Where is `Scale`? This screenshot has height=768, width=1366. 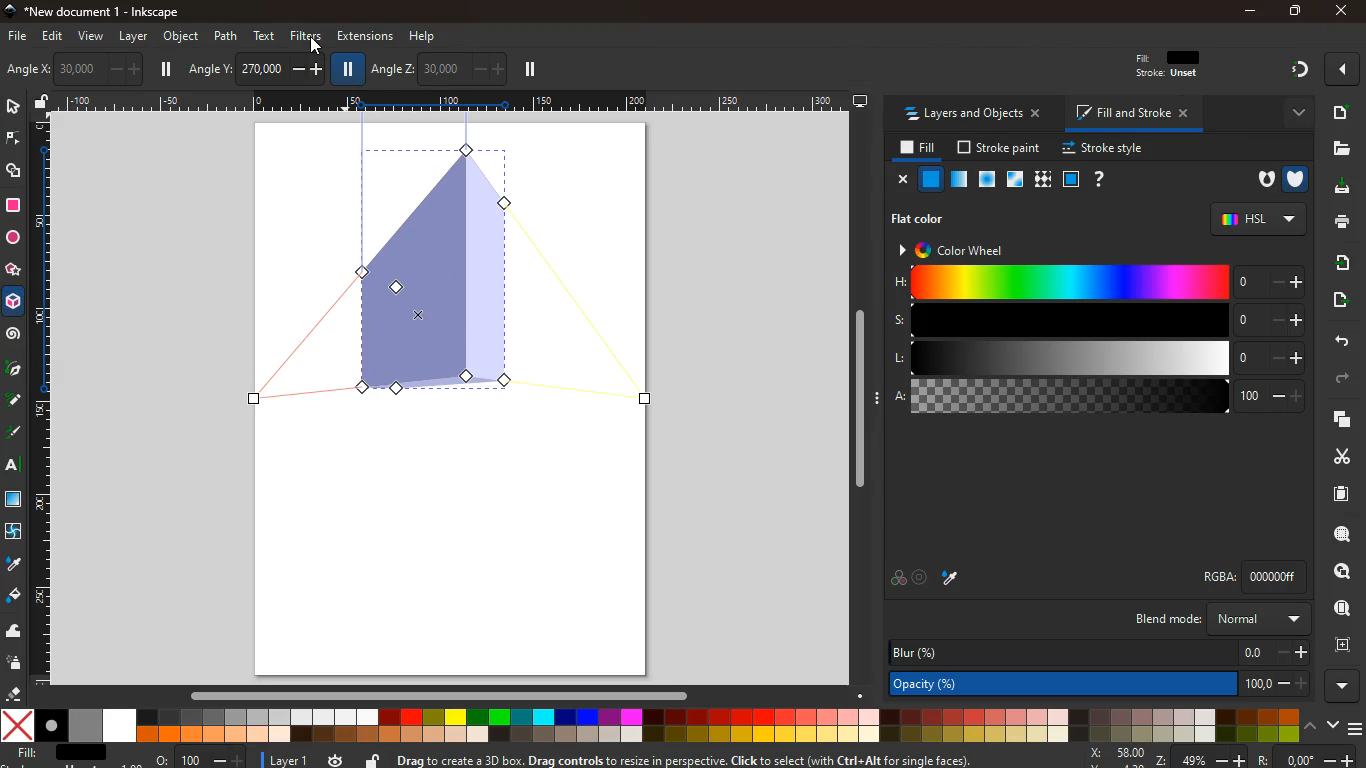 Scale is located at coordinates (43, 400).